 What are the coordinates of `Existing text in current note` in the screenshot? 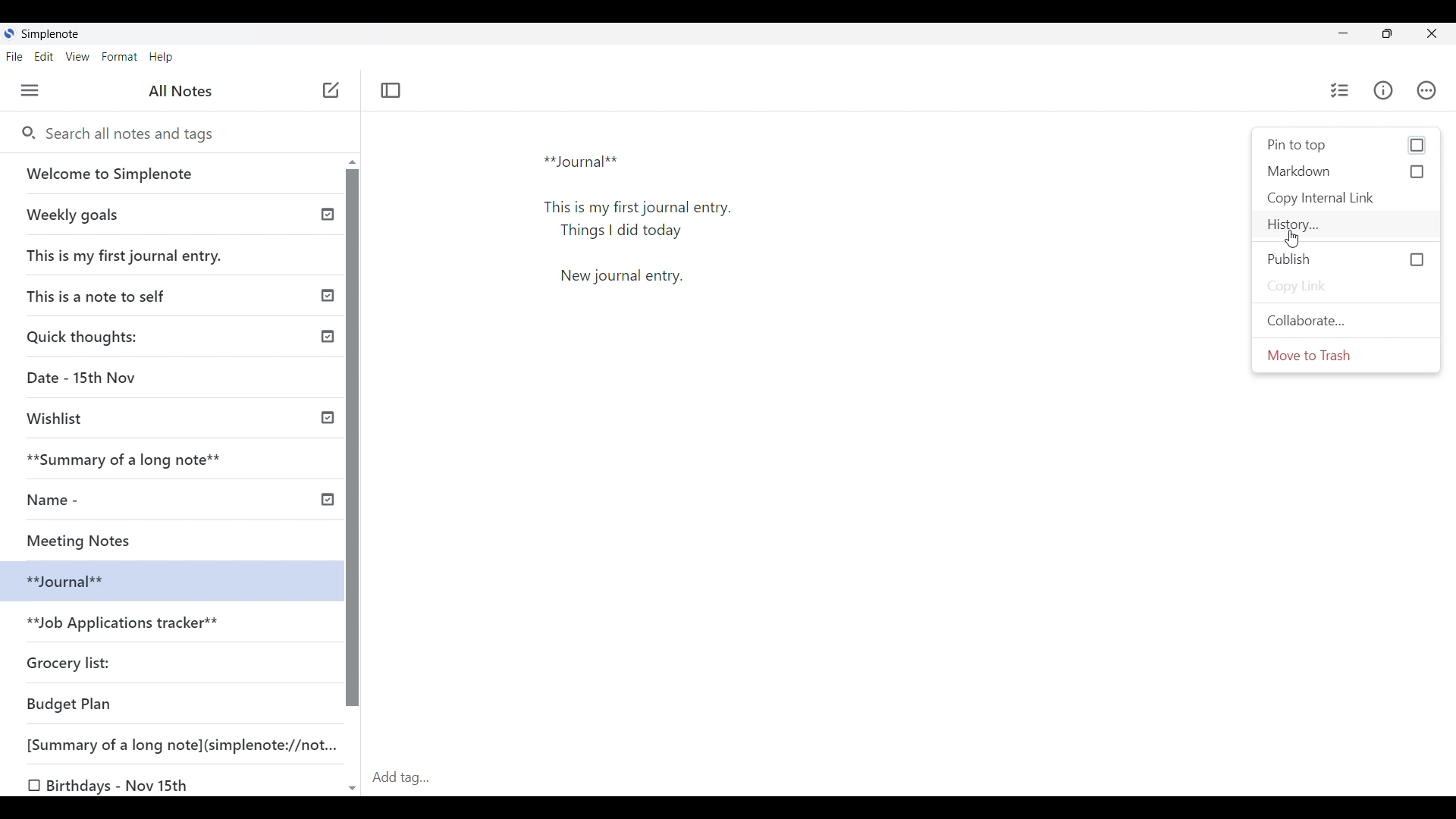 It's located at (647, 225).